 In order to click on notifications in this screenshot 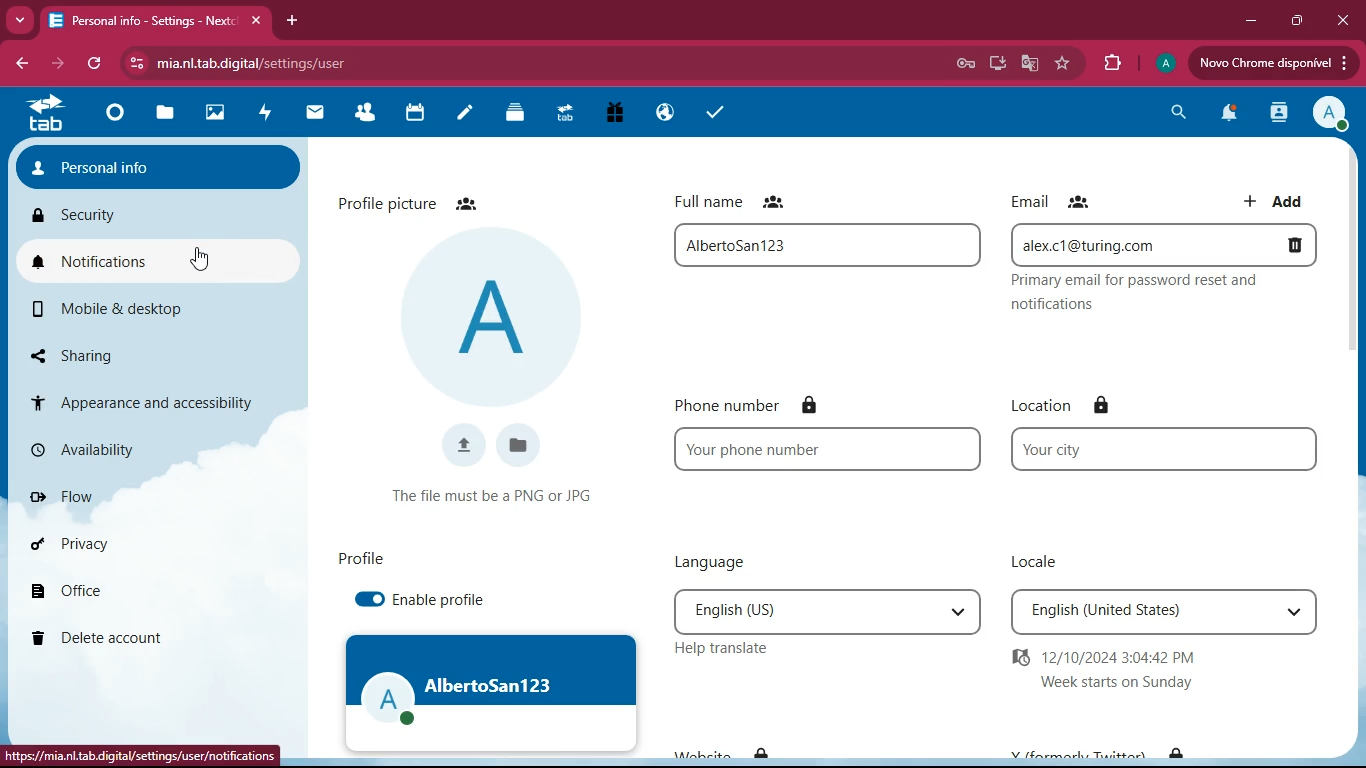, I will do `click(150, 262)`.